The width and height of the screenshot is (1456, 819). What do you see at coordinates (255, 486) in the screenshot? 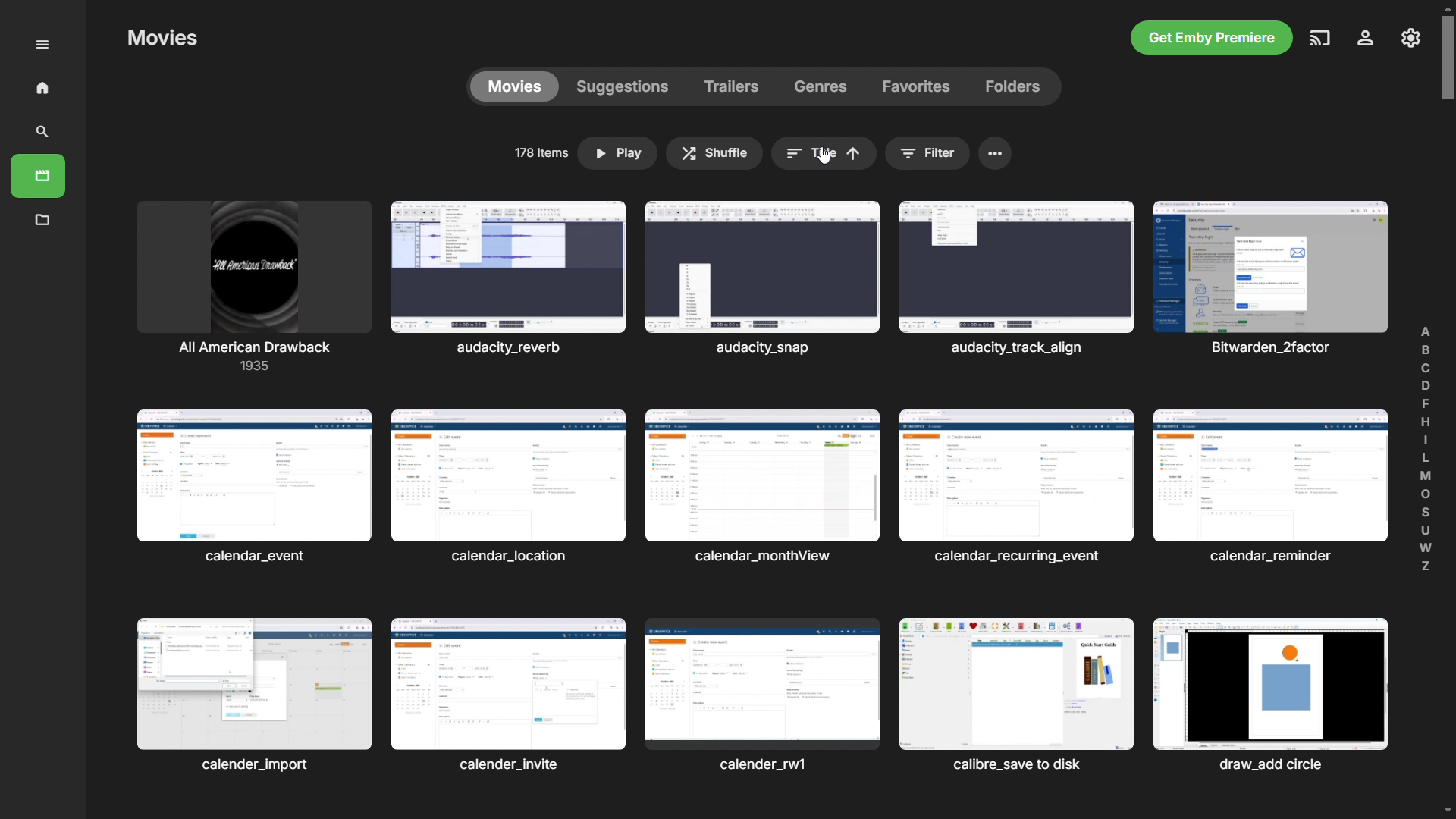
I see `` at bounding box center [255, 486].